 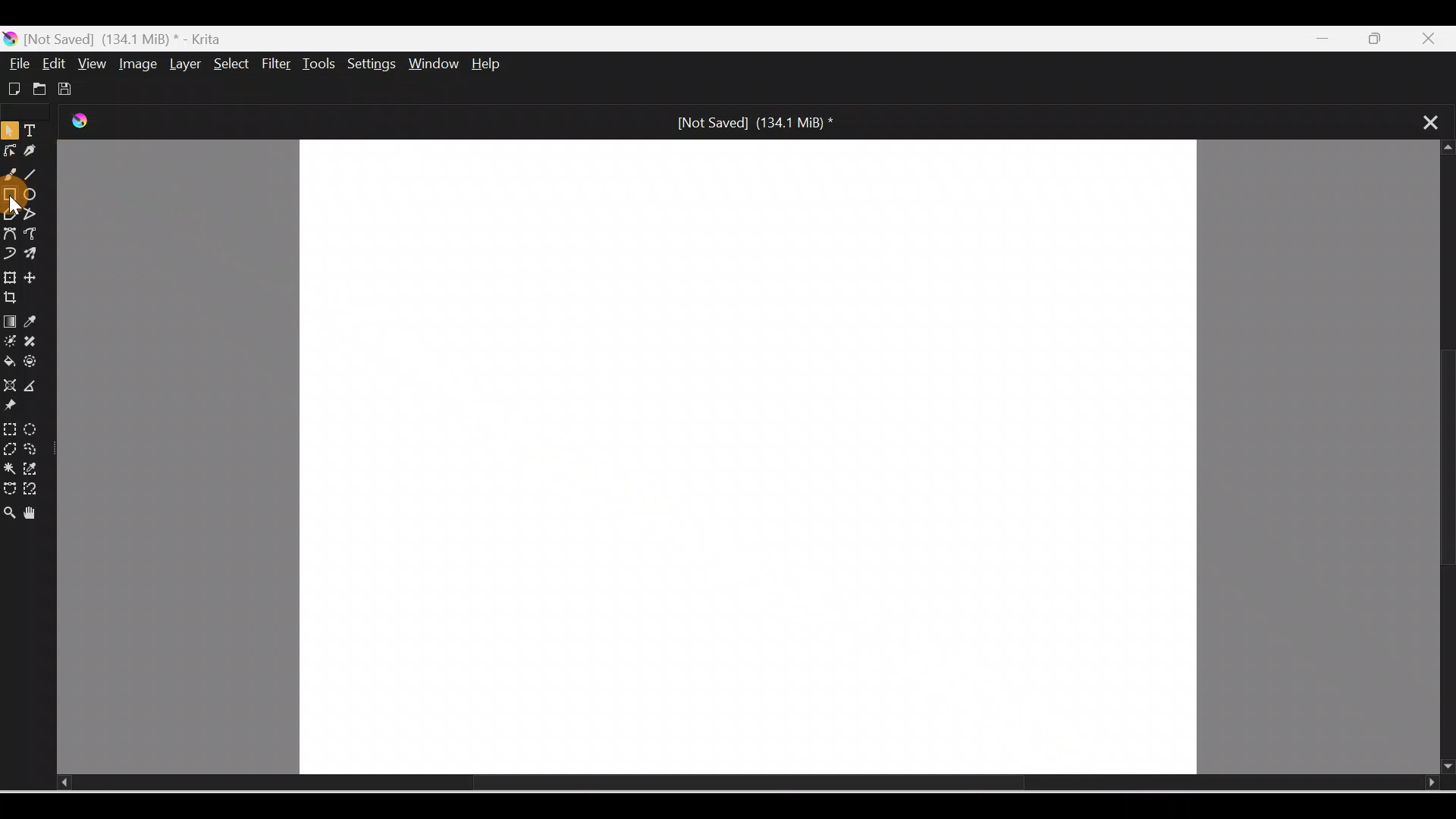 I want to click on Crop an image, so click(x=17, y=298).